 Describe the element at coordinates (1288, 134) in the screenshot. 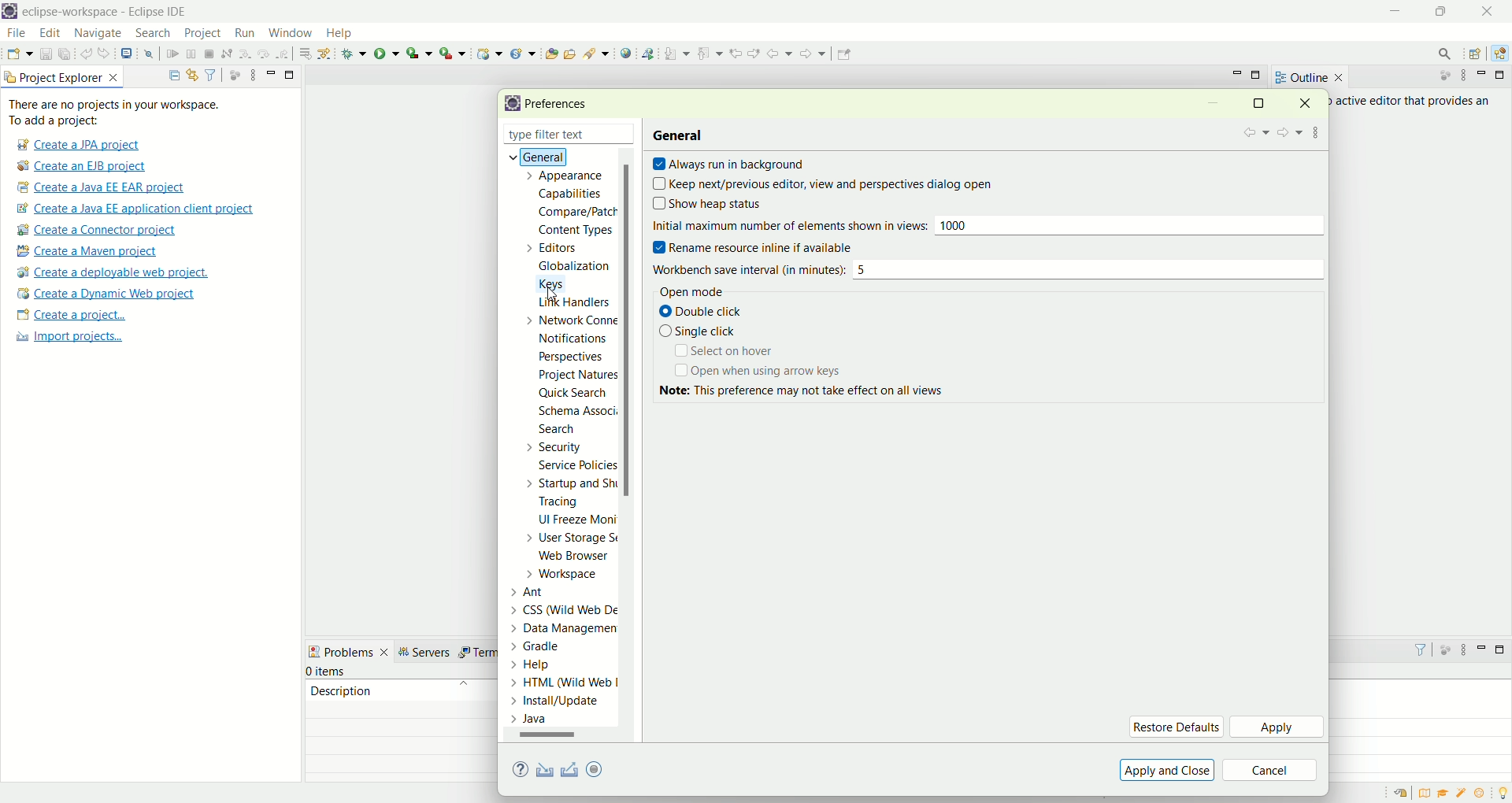

I see `forward` at that location.